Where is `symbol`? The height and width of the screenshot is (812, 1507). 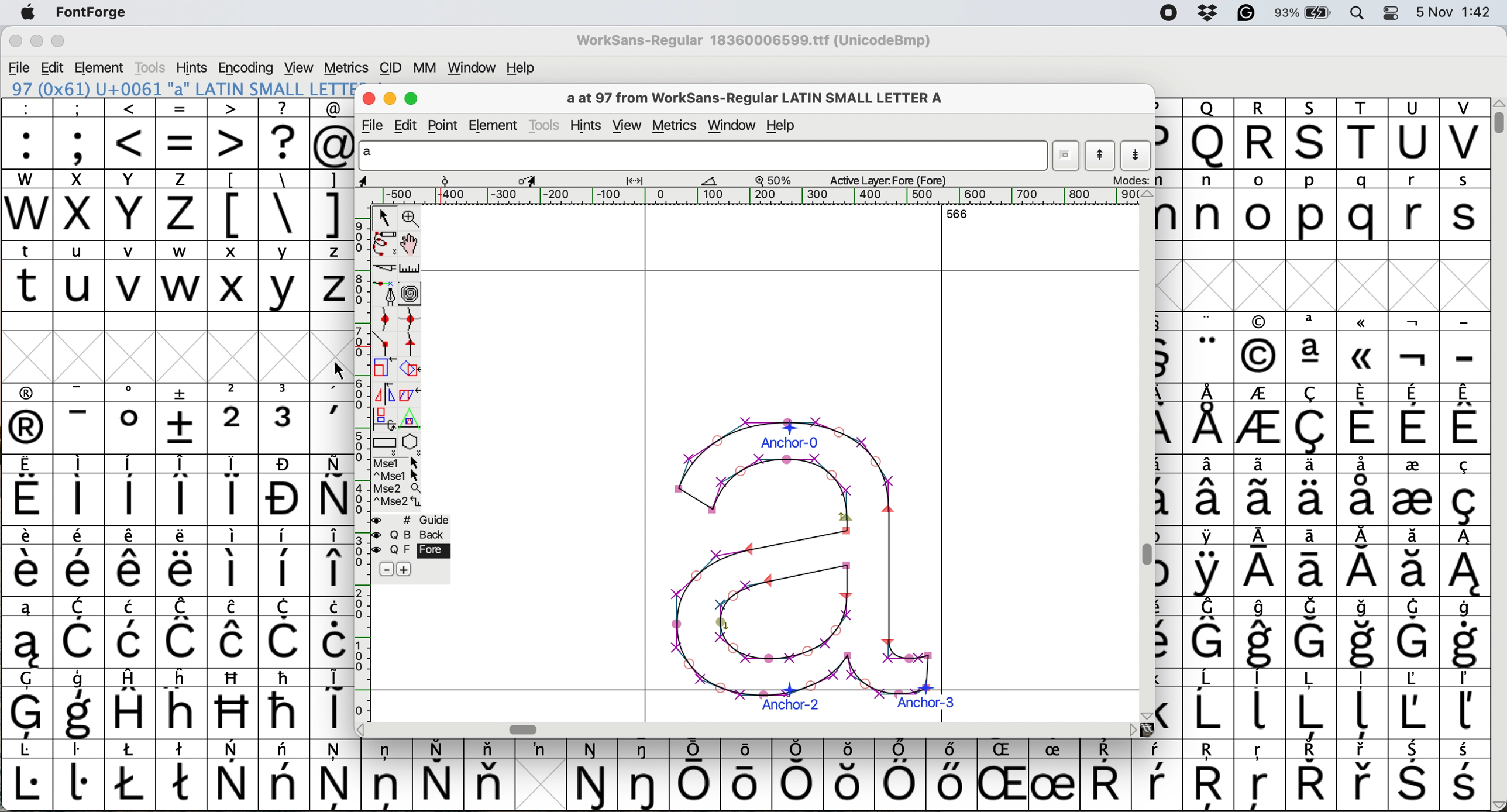
symbol is located at coordinates (1364, 488).